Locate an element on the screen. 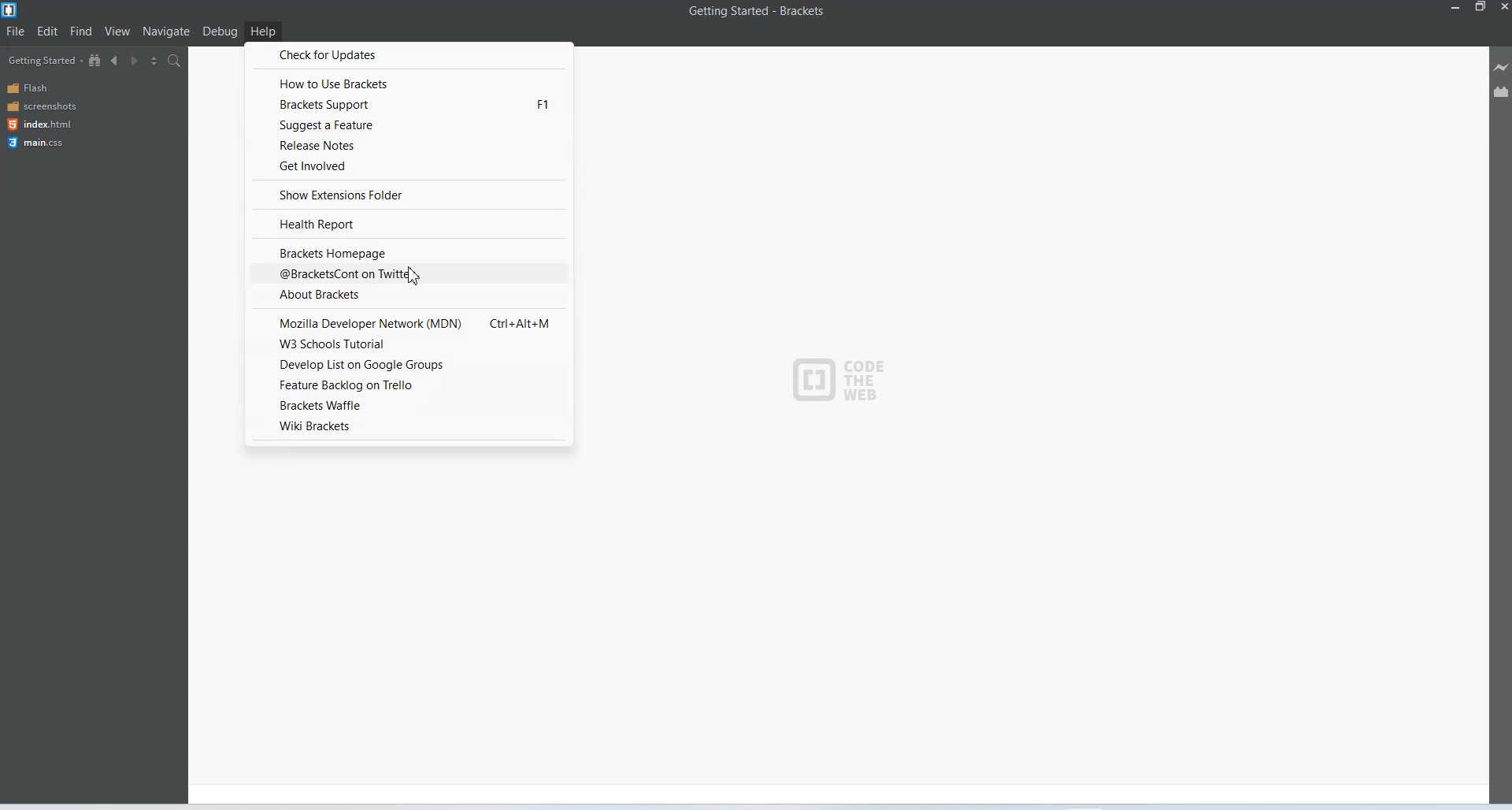 This screenshot has width=1512, height=810. Screenshots is located at coordinates (43, 106).